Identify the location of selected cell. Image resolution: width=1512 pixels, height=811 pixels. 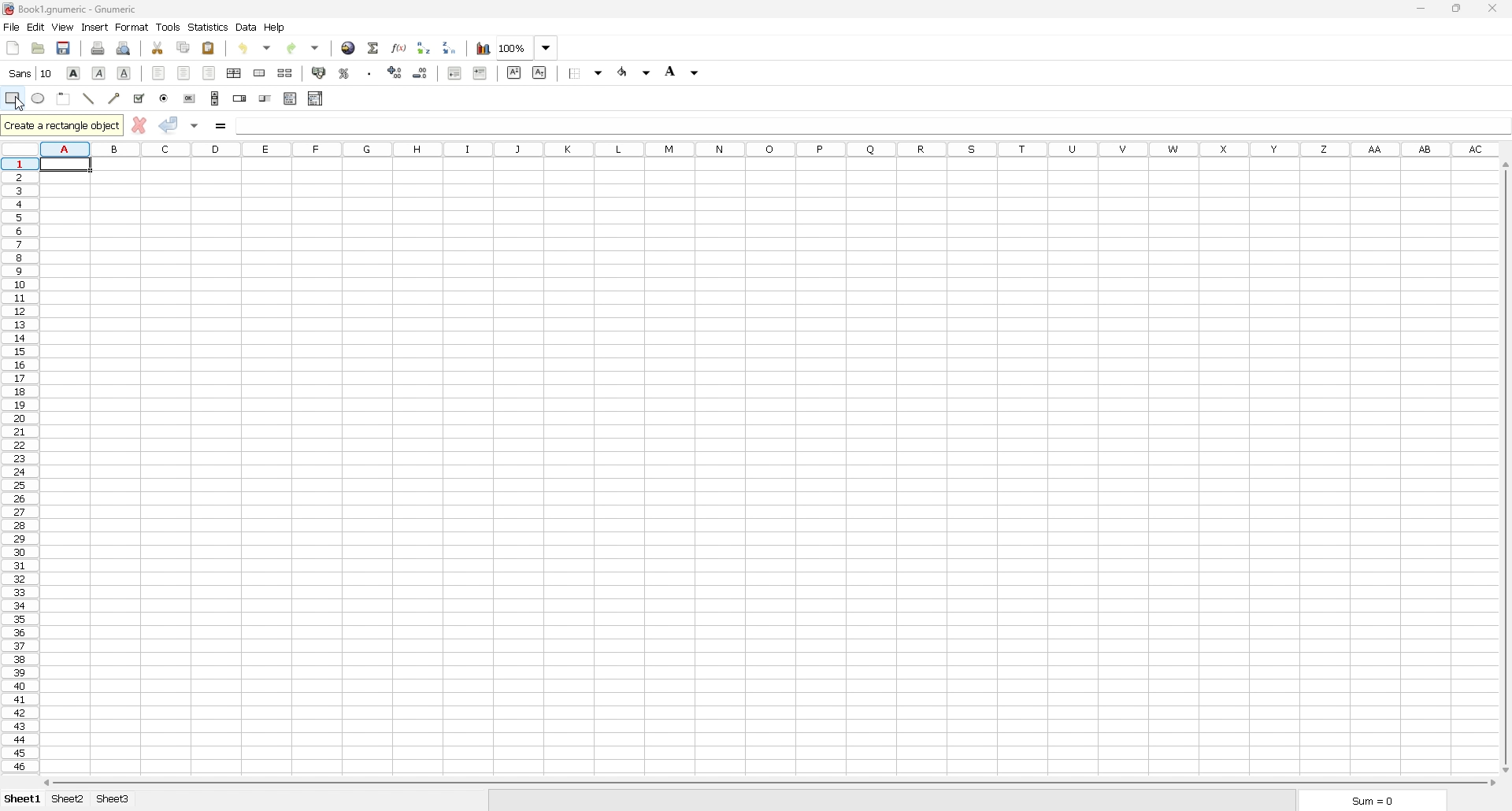
(65, 165).